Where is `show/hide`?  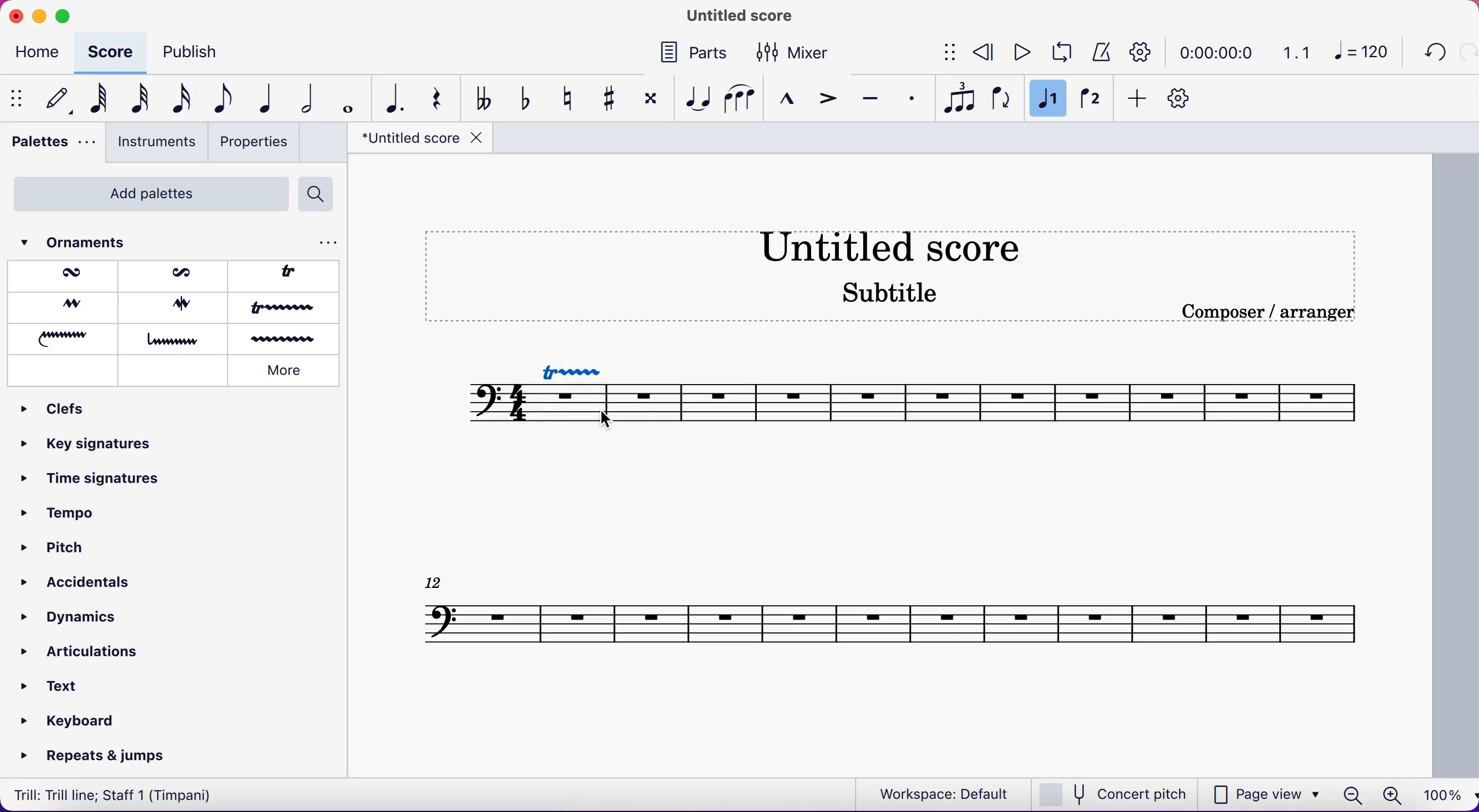 show/hide is located at coordinates (943, 54).